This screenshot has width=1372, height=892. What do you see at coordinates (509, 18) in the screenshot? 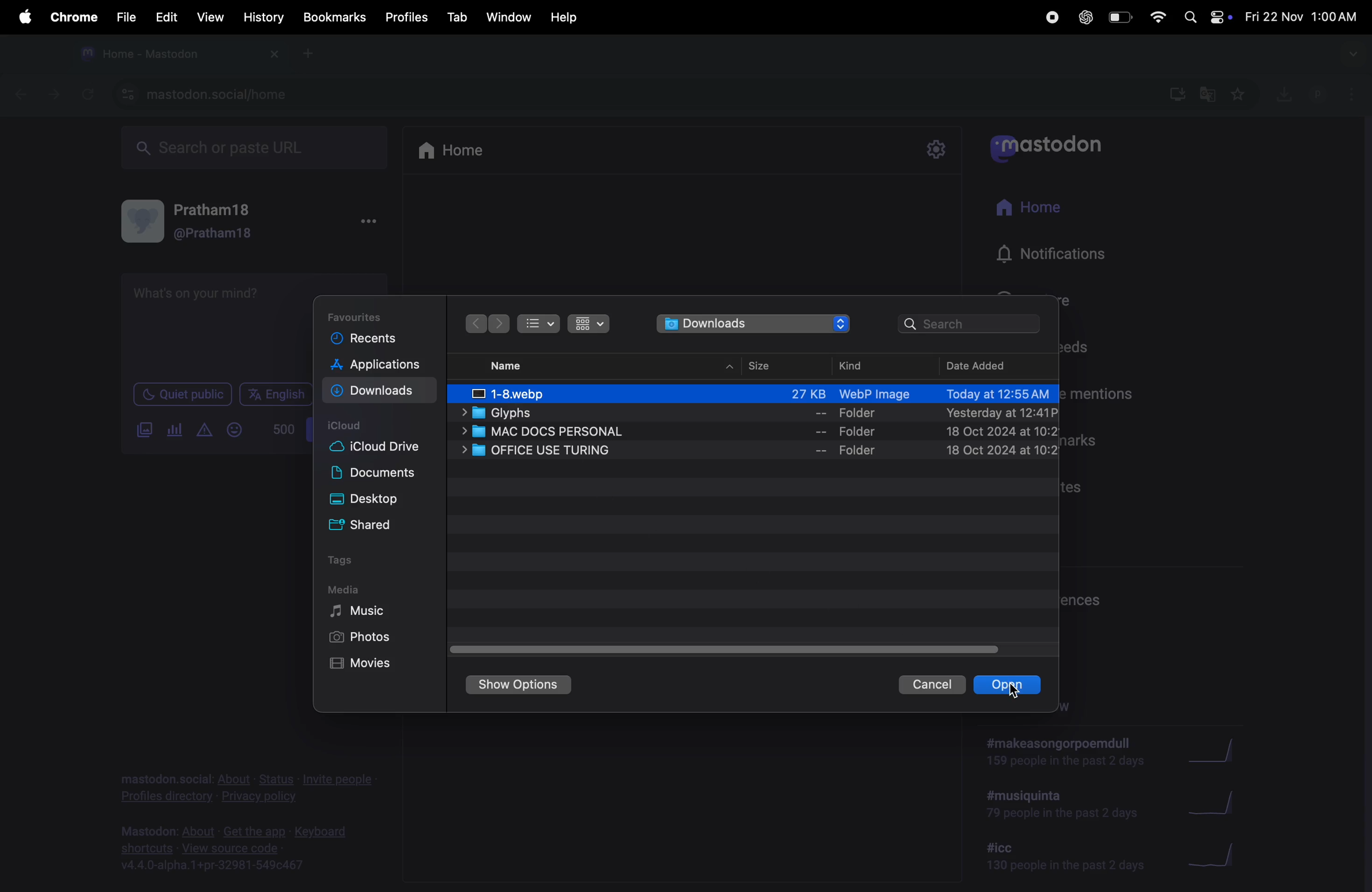
I see `window` at bounding box center [509, 18].